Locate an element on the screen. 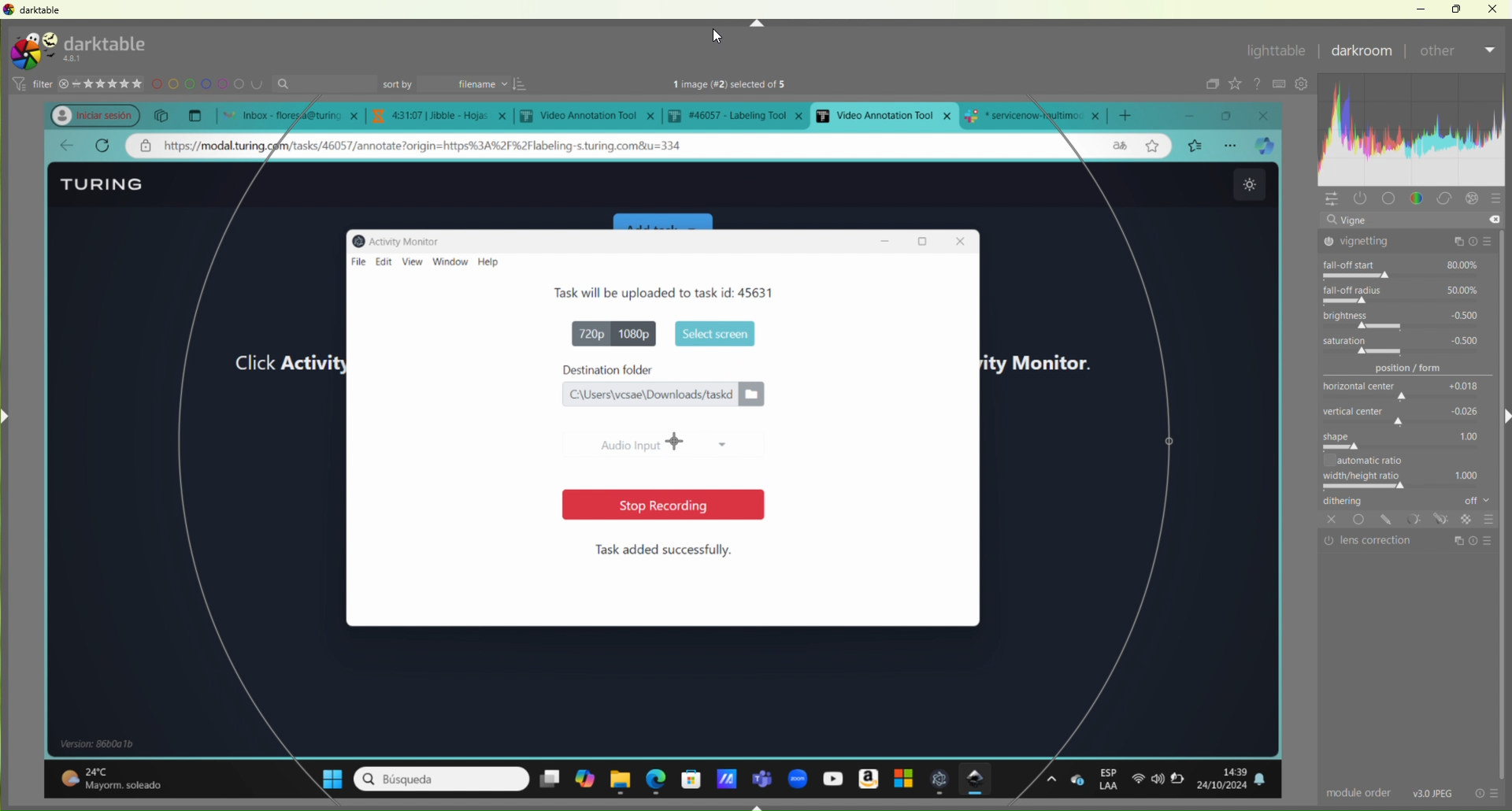  language is located at coordinates (1117, 146).